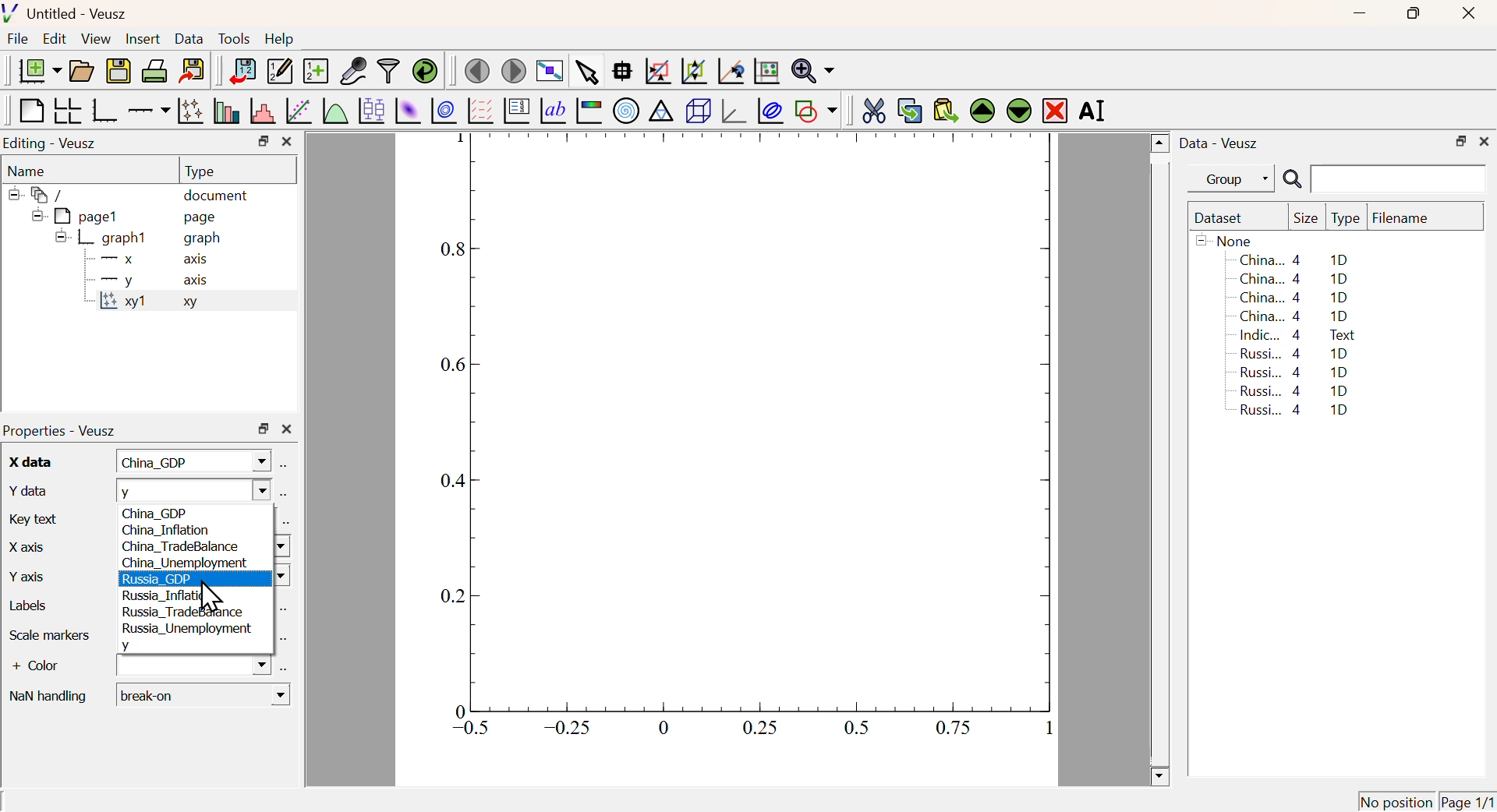 The image size is (1497, 812). Describe the element at coordinates (203, 695) in the screenshot. I see `Break-on` at that location.